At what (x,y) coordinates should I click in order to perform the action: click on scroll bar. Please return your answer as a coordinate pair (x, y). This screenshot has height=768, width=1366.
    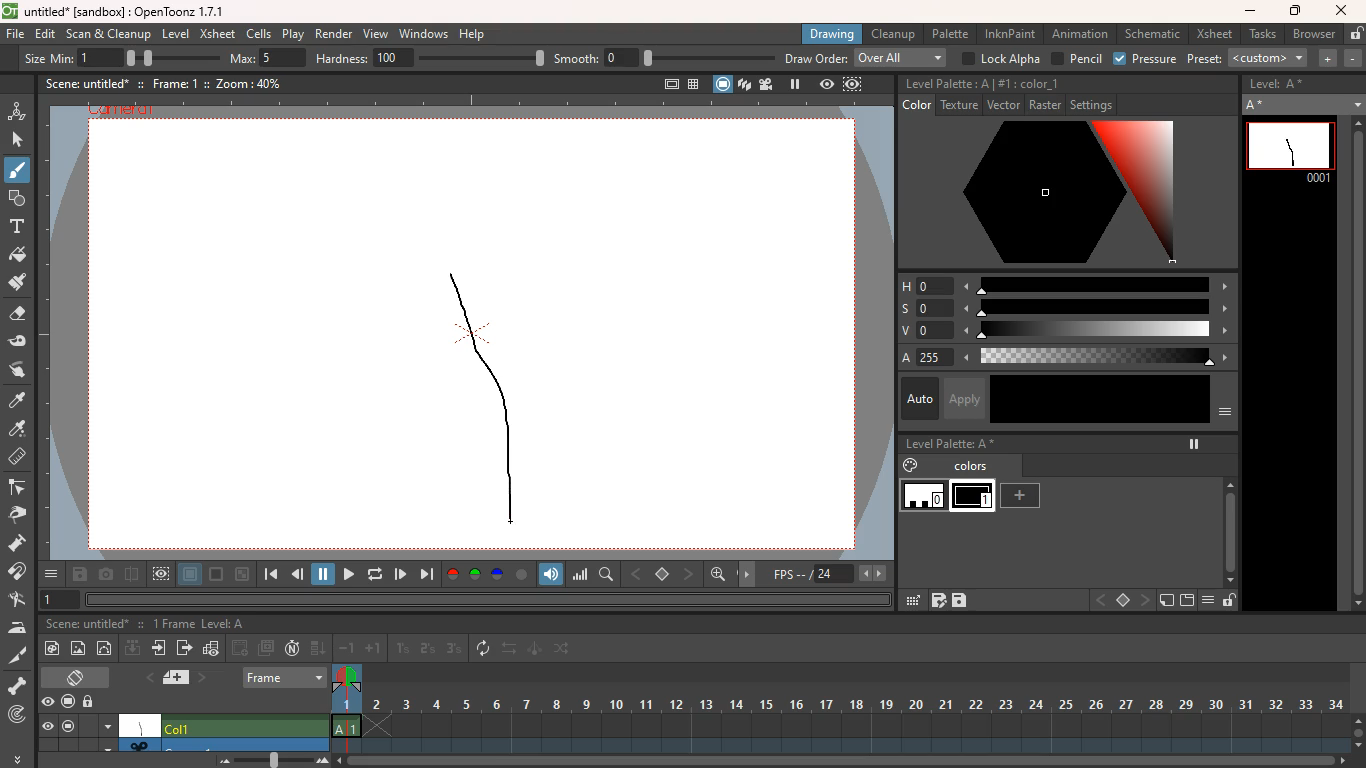
    Looking at the image, I should click on (1355, 365).